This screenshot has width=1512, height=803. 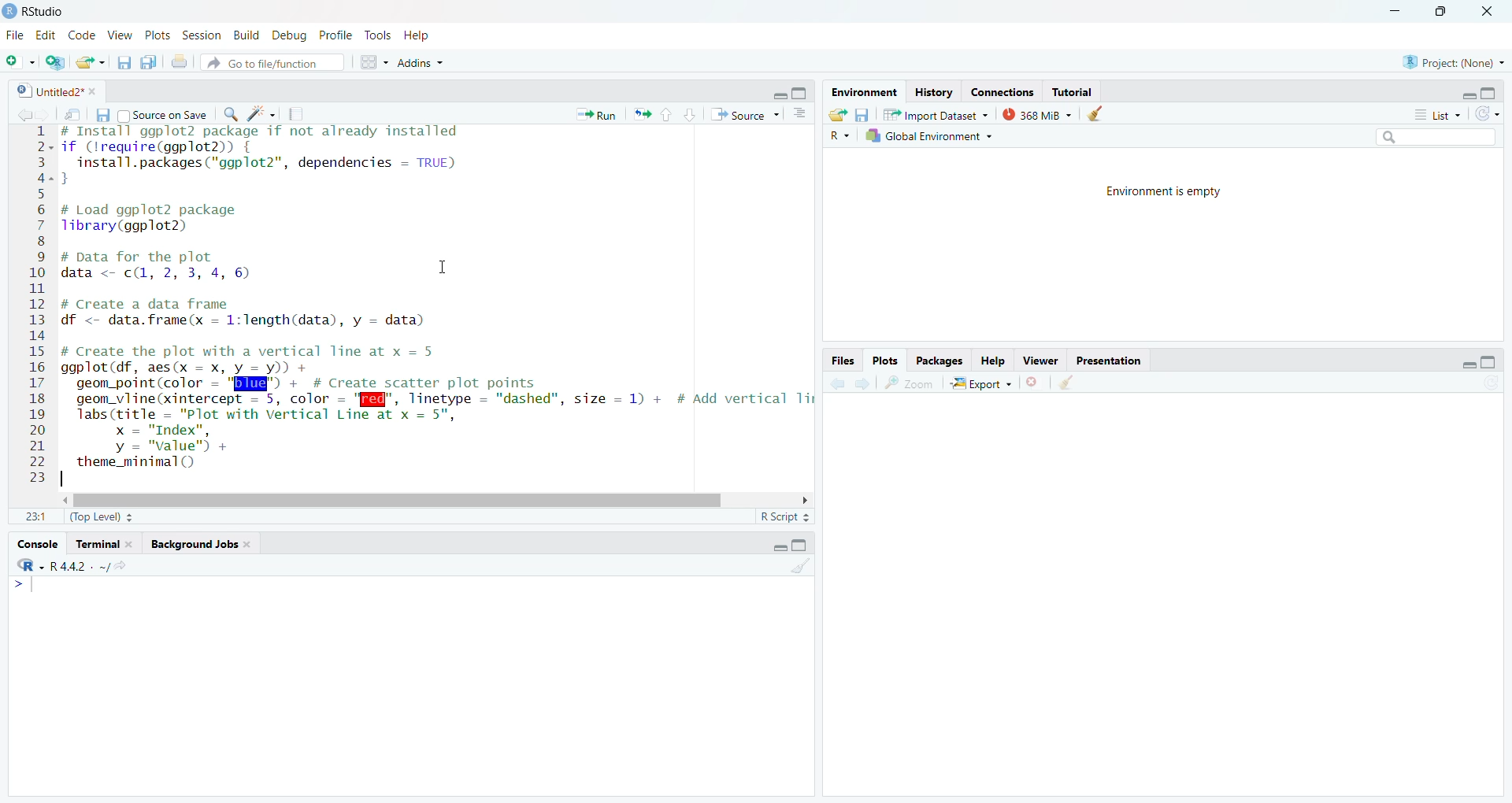 I want to click on File, so click(x=16, y=35).